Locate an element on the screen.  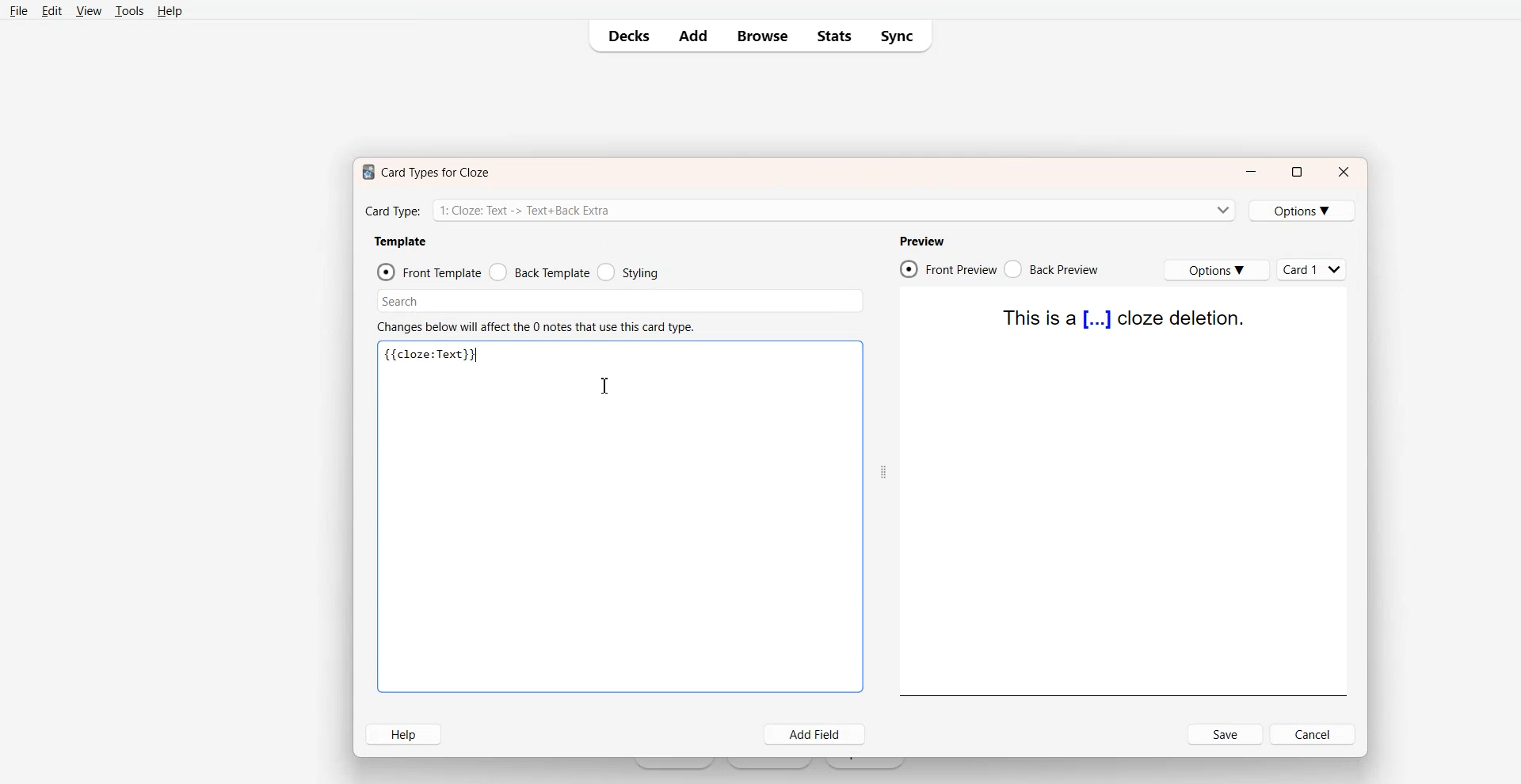
Search is located at coordinates (621, 301).